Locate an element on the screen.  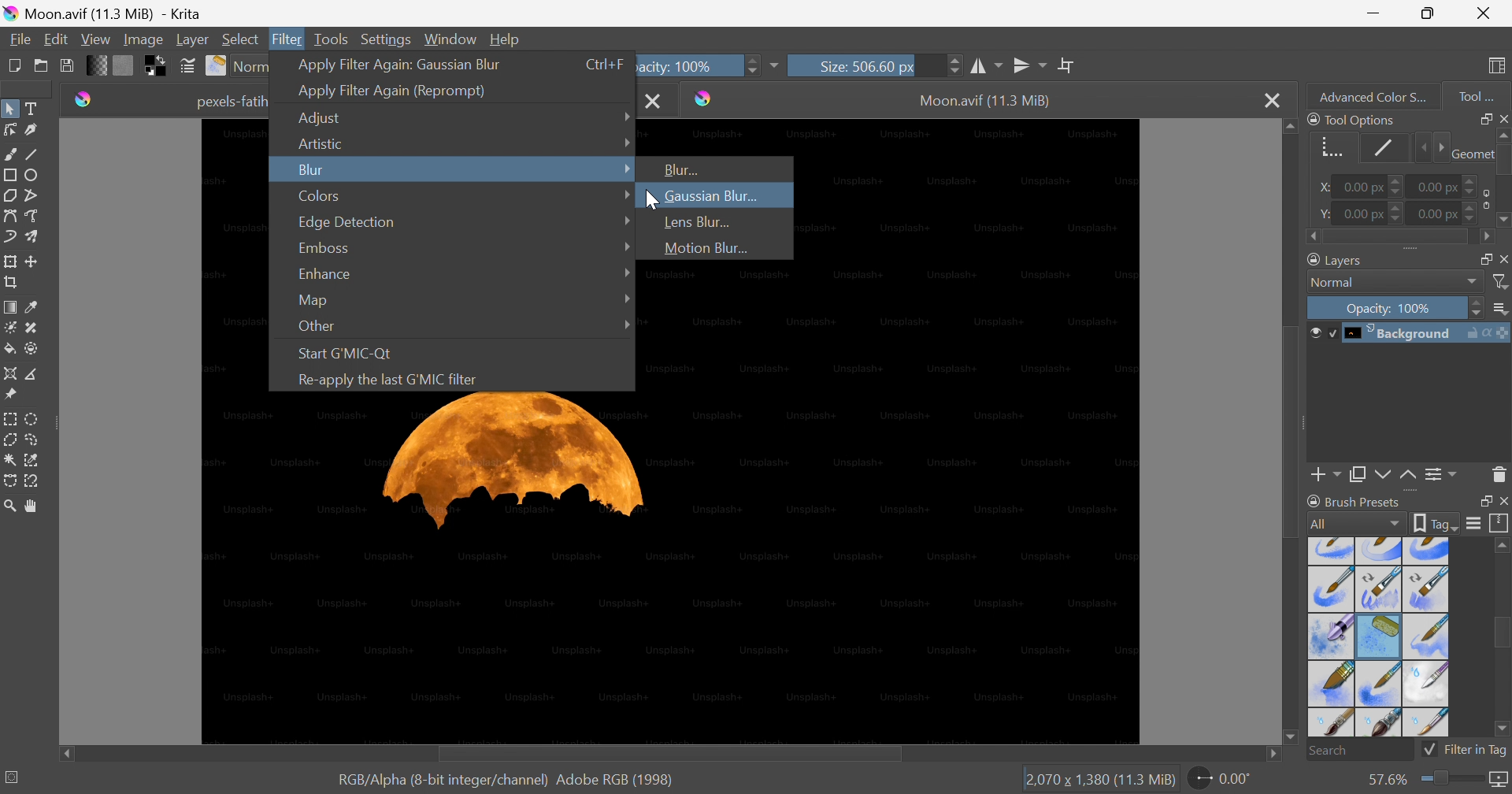
Size: 506.60 px is located at coordinates (875, 65).